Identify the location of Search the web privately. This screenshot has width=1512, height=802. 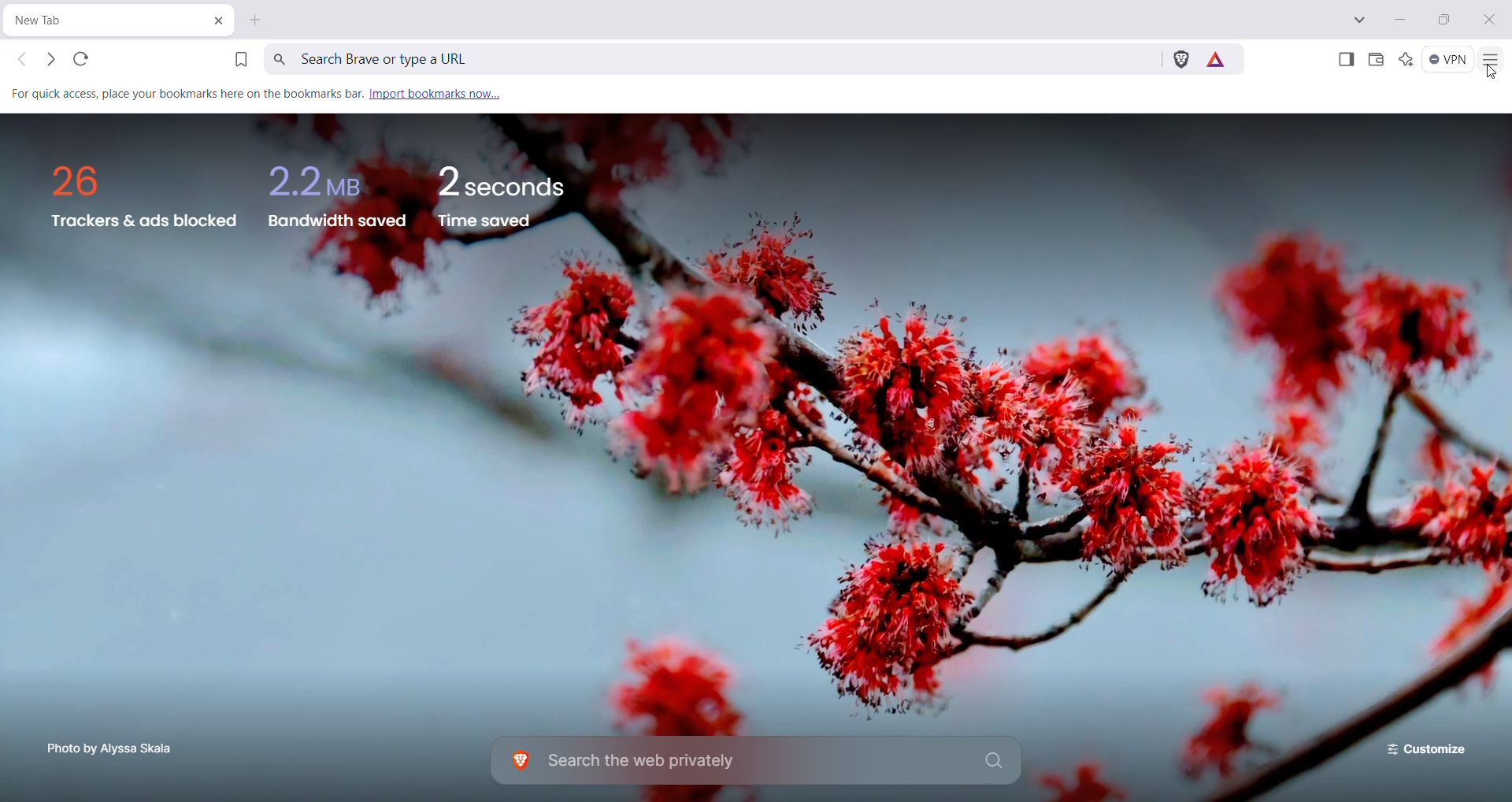
(760, 761).